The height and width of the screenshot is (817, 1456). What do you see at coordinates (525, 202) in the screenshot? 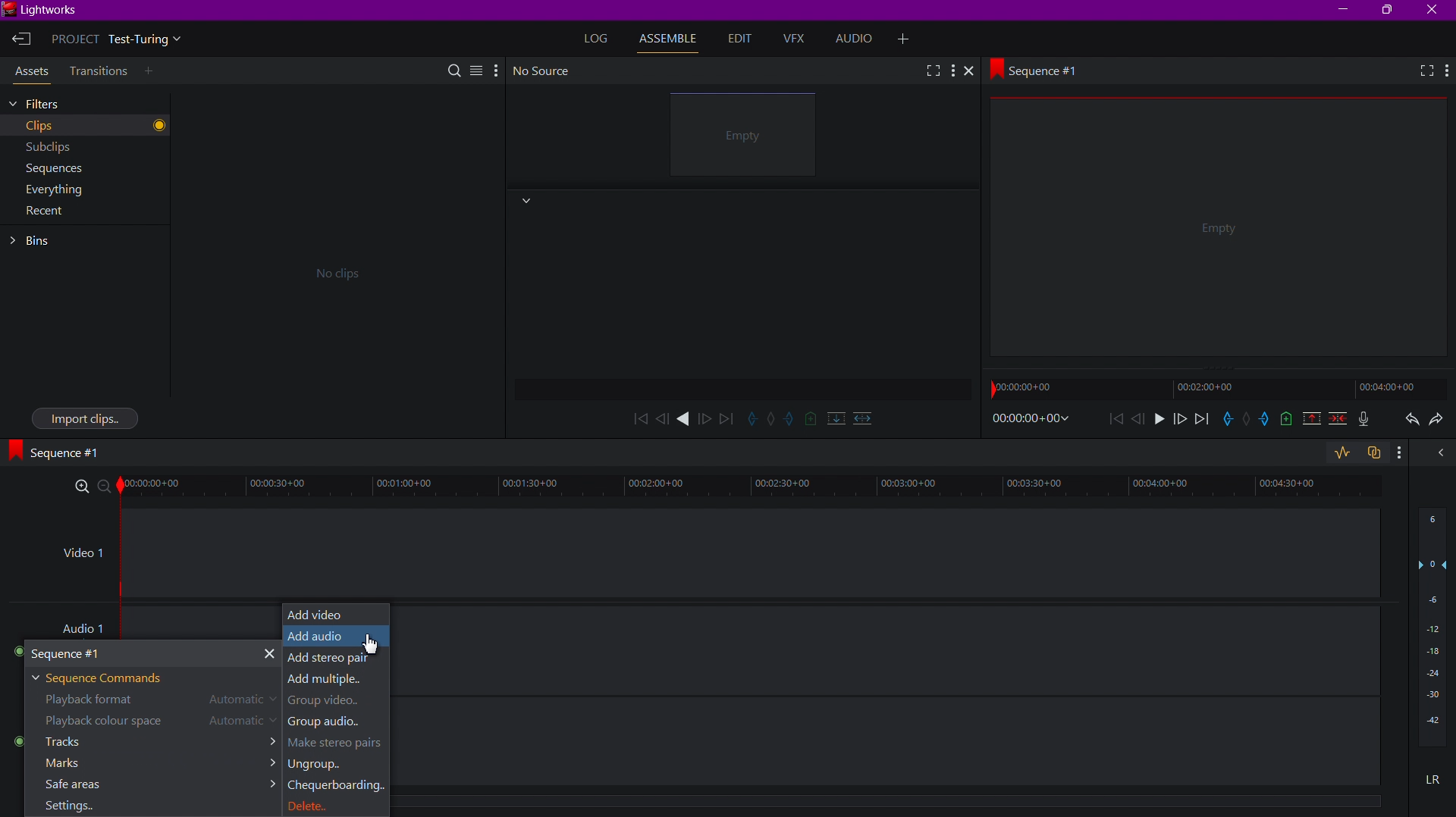
I see `Collapse` at bounding box center [525, 202].